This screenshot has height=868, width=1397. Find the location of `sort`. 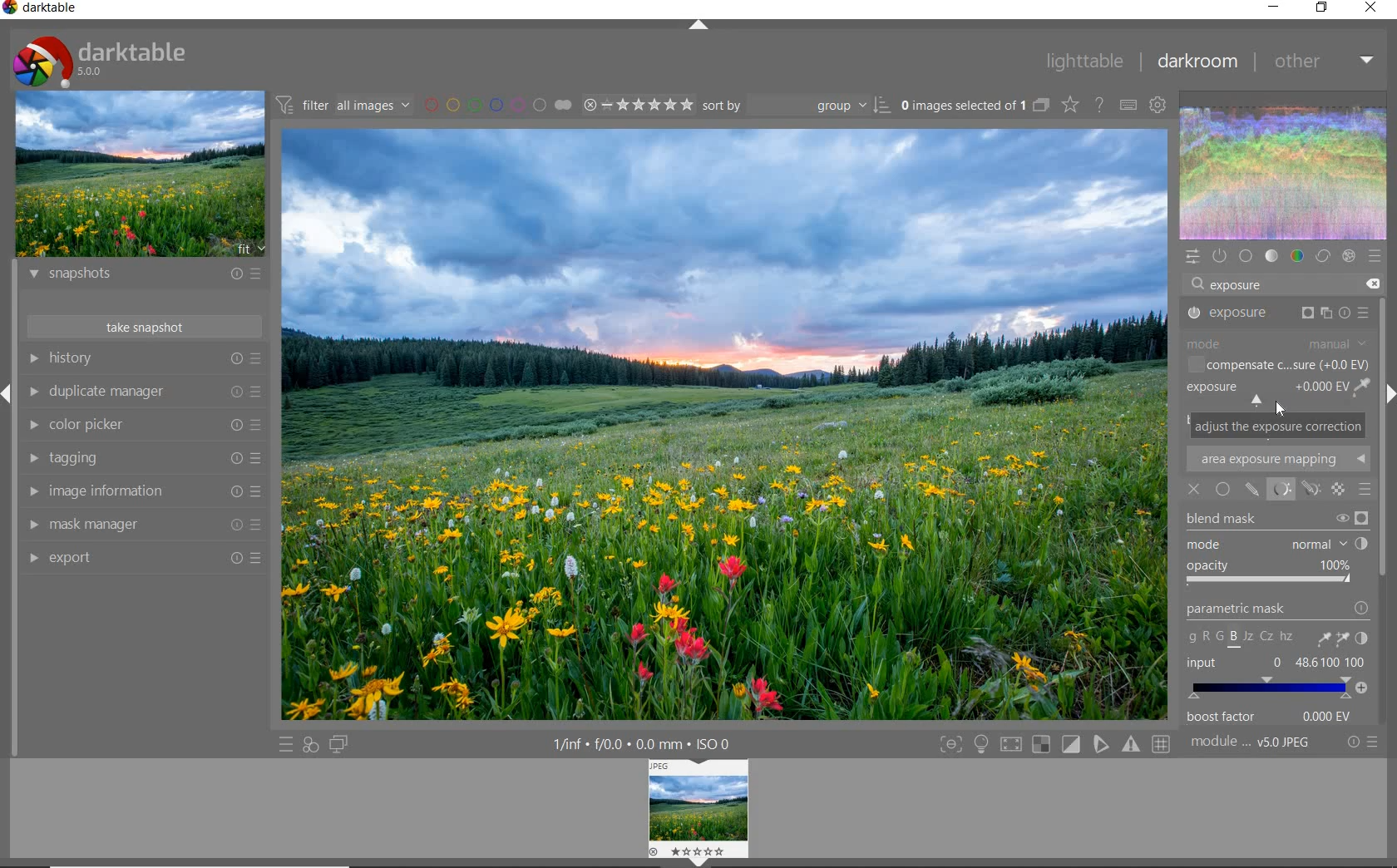

sort is located at coordinates (797, 106).